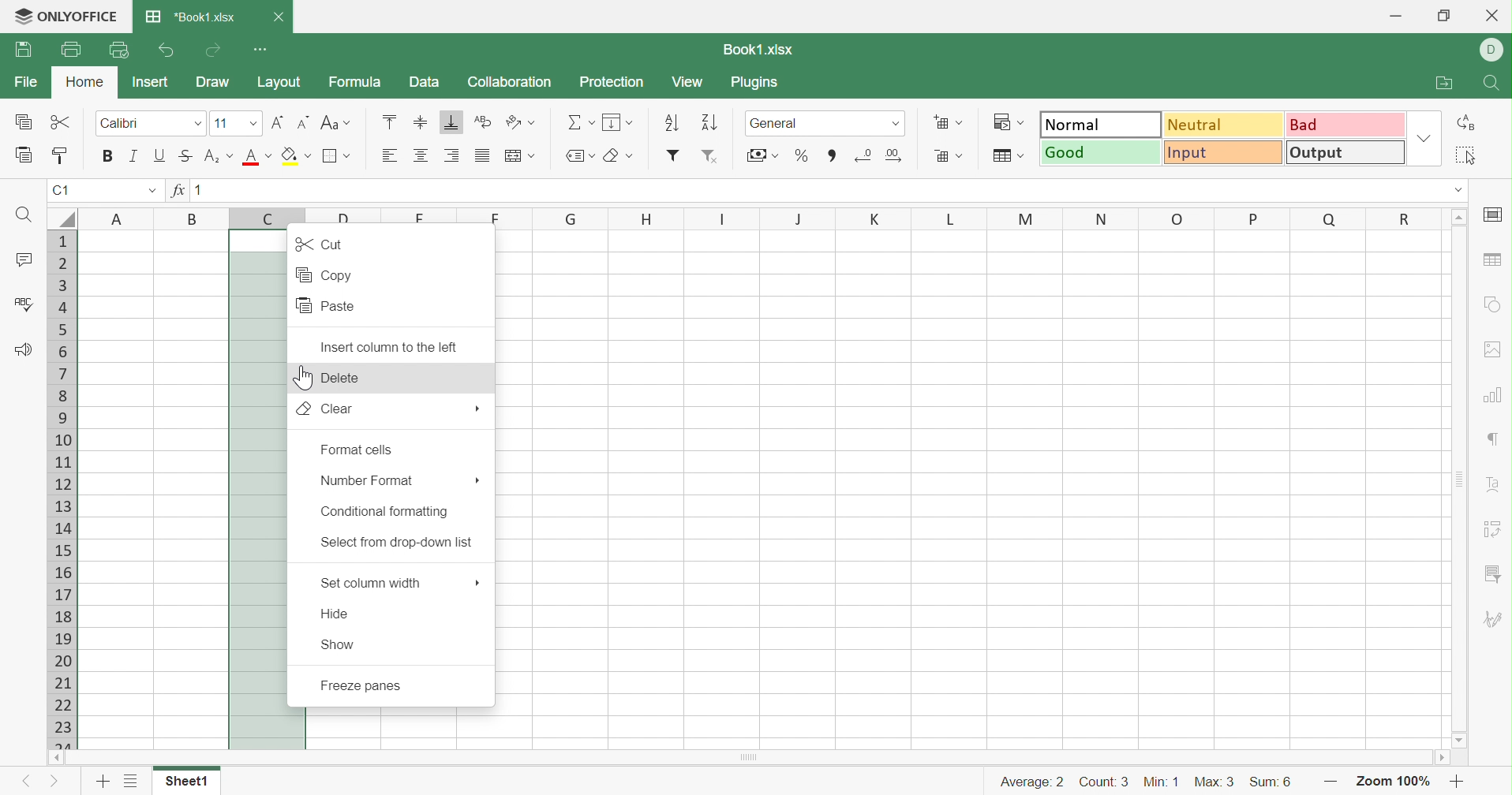 The width and height of the screenshot is (1512, 795). I want to click on Number format, so click(368, 482).